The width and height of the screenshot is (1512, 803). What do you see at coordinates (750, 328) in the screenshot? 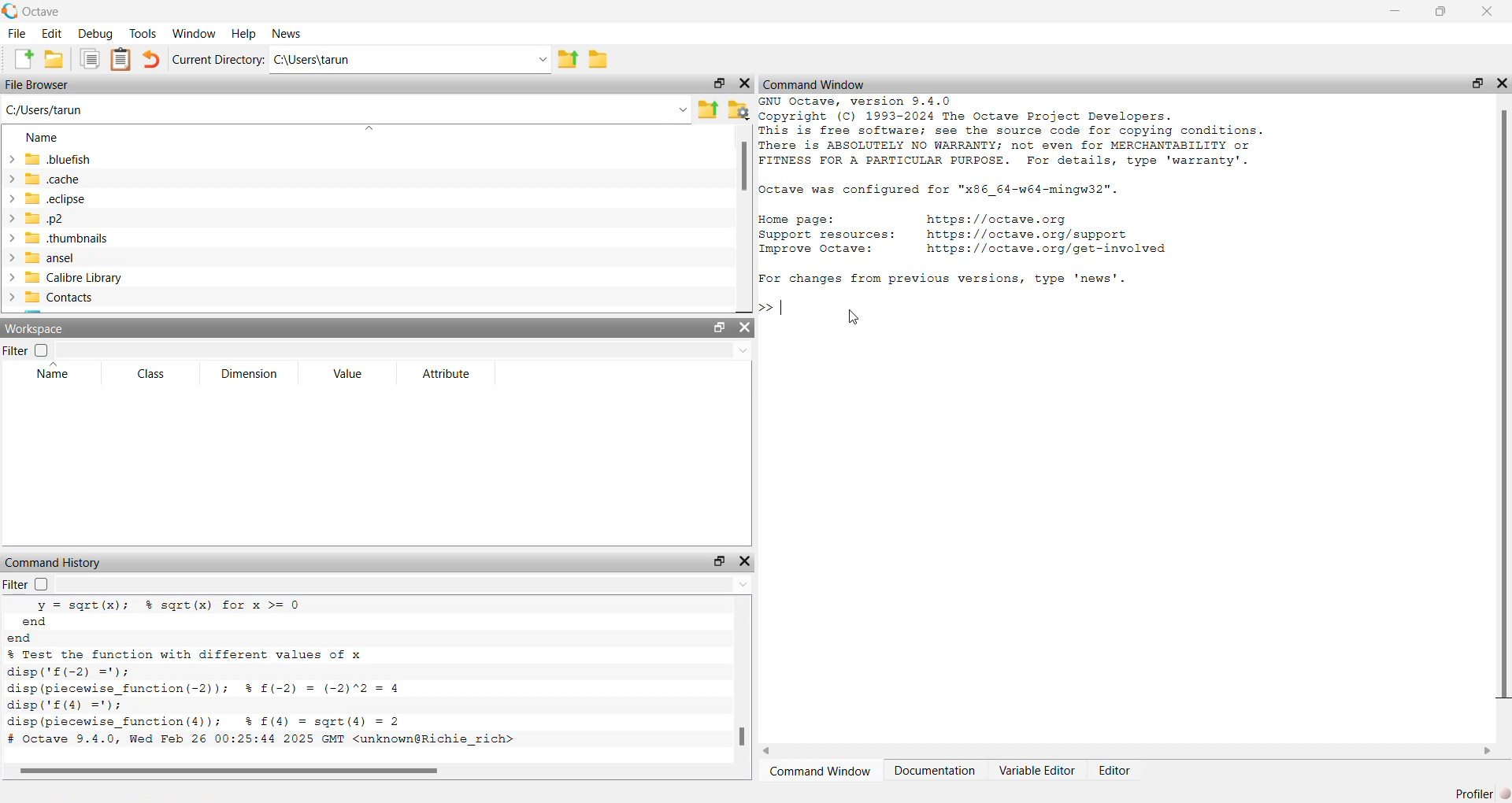
I see `Close` at bounding box center [750, 328].